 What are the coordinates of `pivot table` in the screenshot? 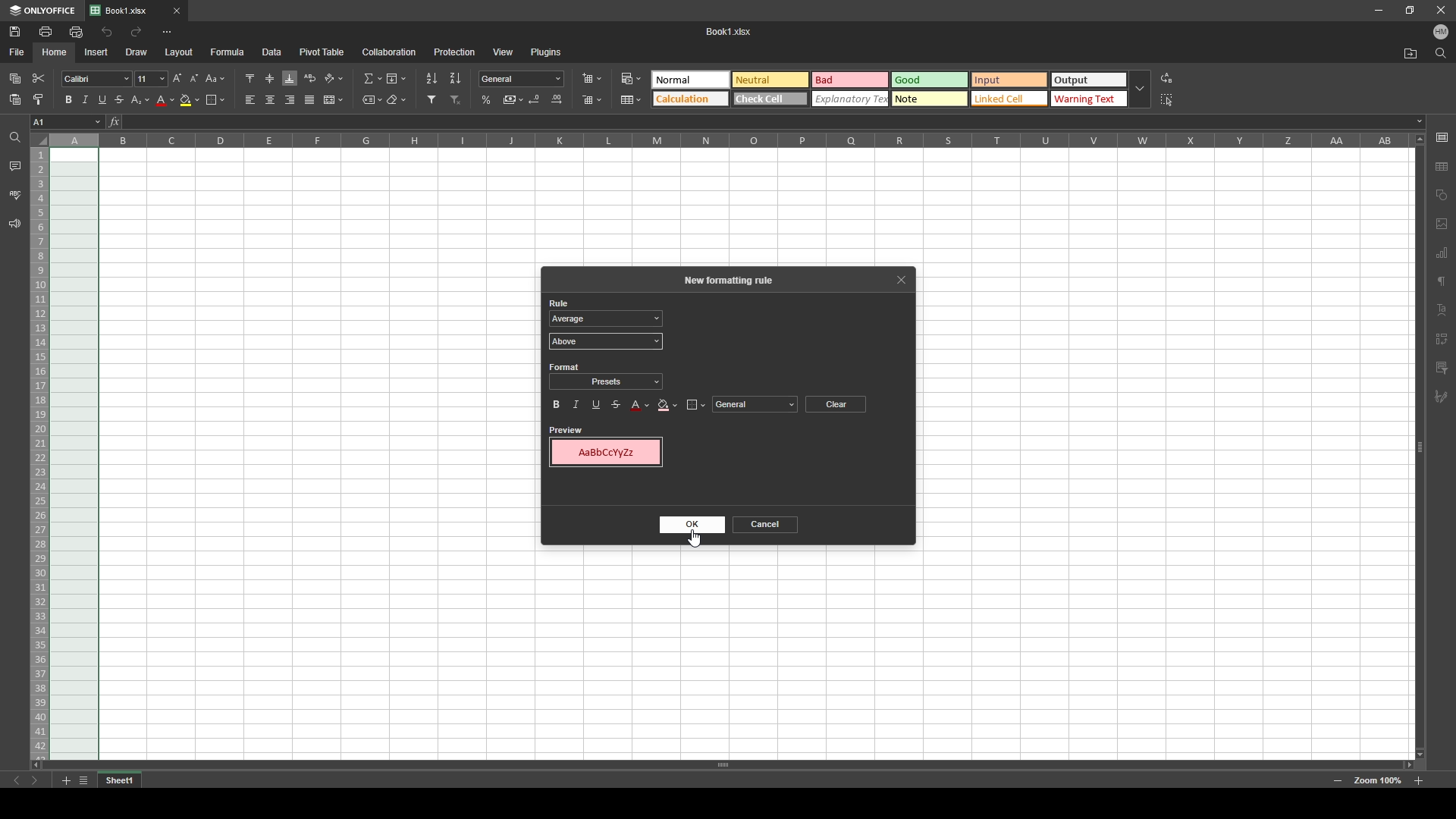 It's located at (322, 51).